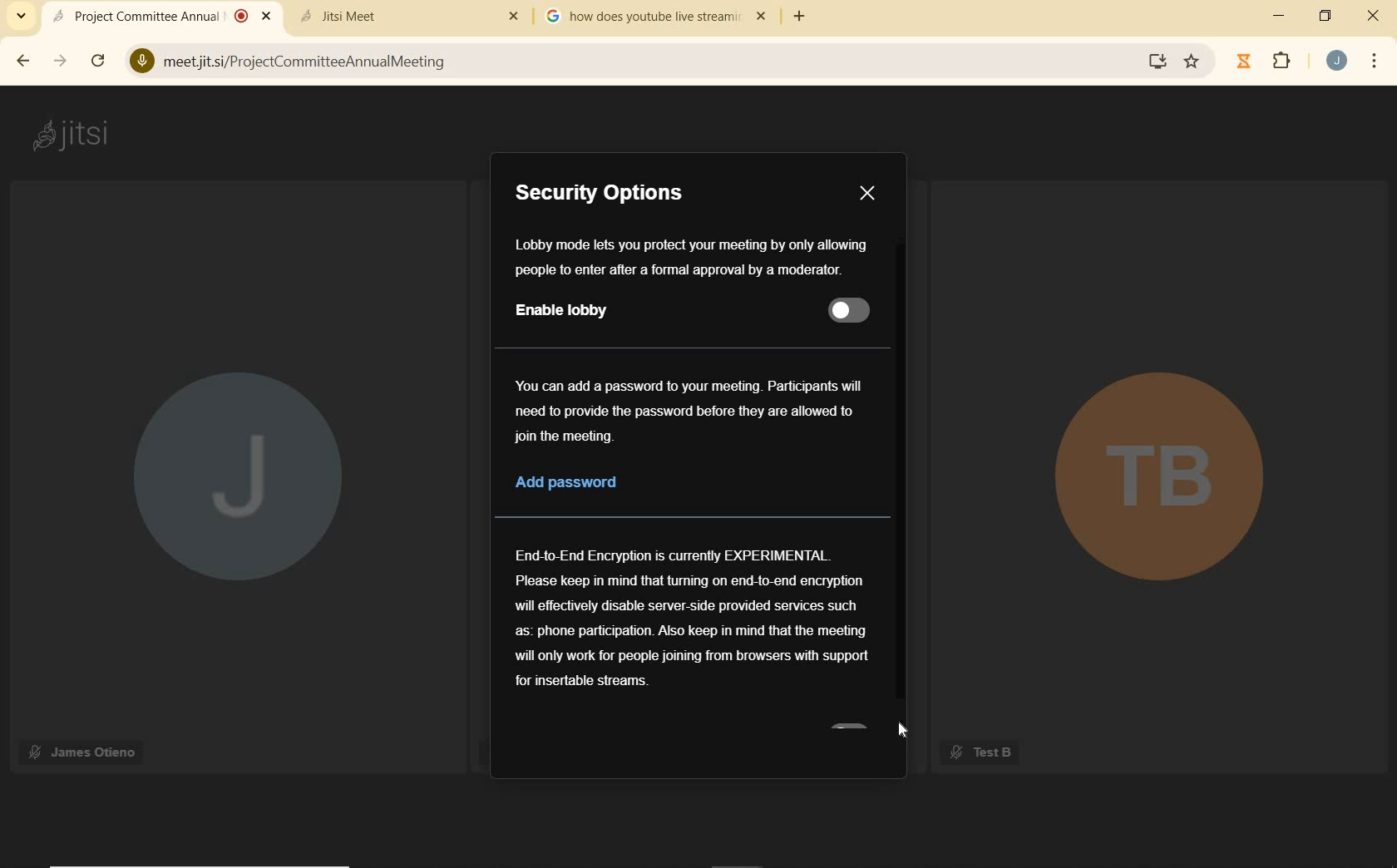  What do you see at coordinates (77, 136) in the screenshot?
I see `jitsi` at bounding box center [77, 136].